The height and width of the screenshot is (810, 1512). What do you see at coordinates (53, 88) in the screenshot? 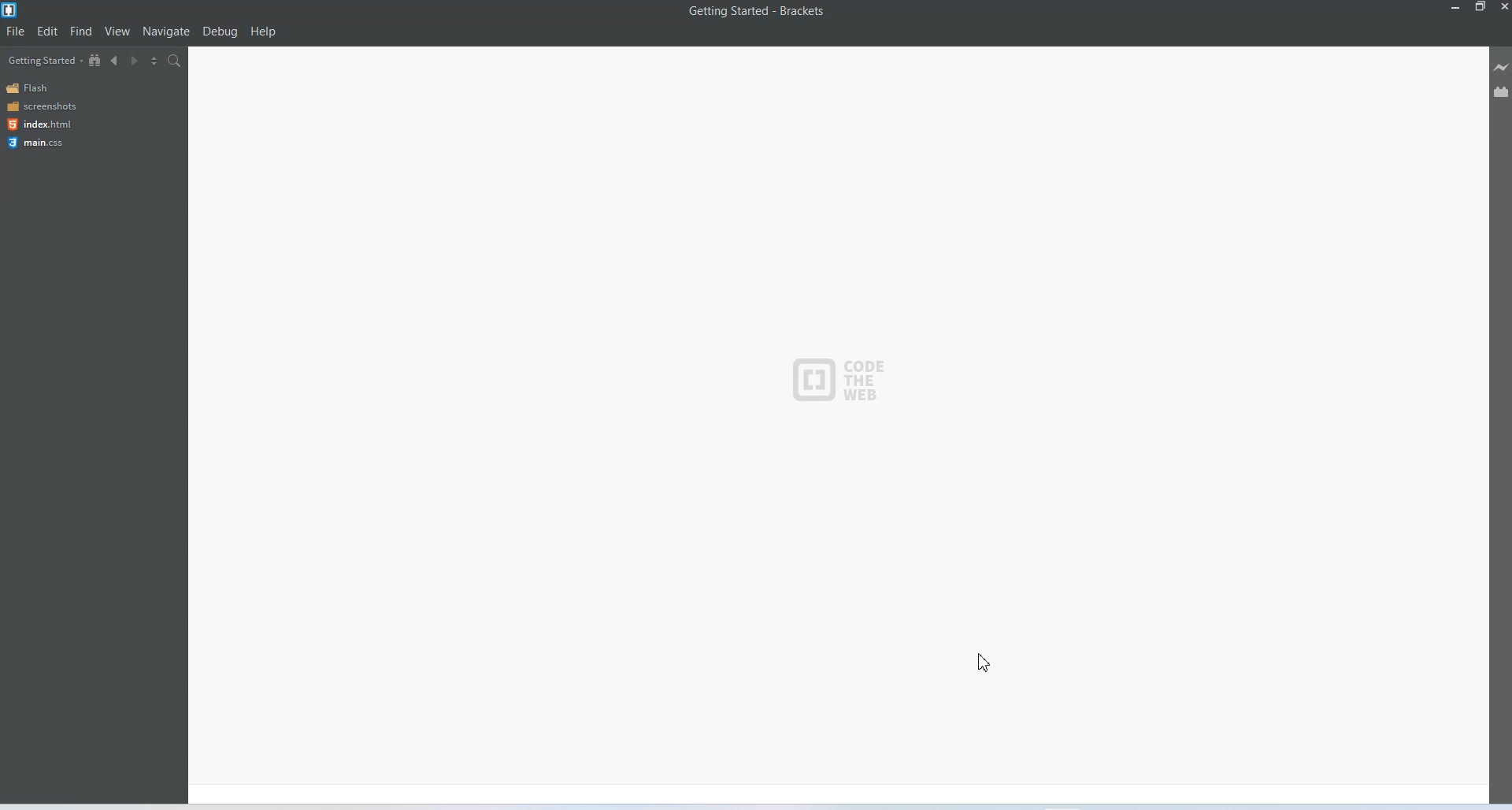
I see `Flash` at bounding box center [53, 88].